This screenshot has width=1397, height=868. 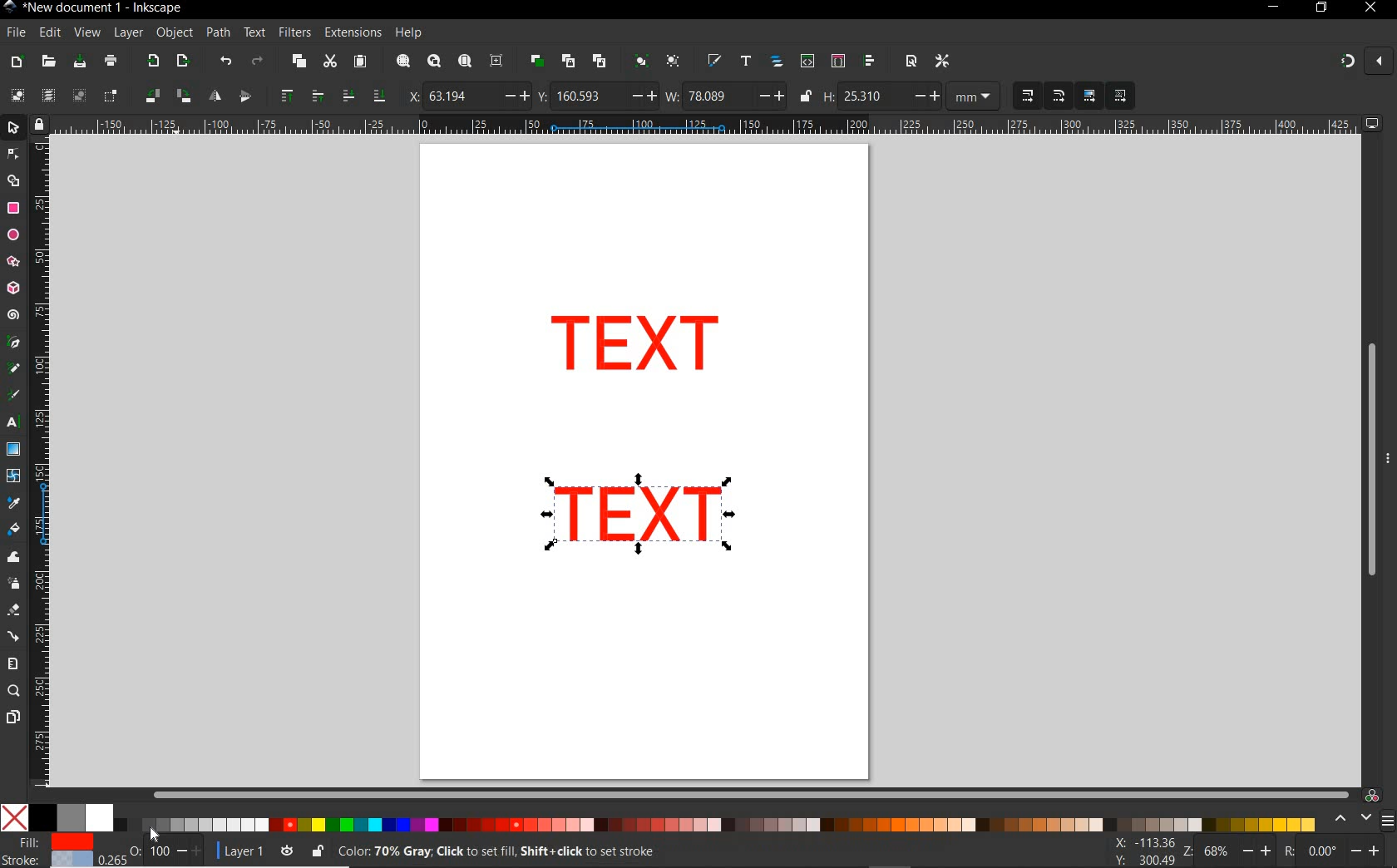 I want to click on new, so click(x=17, y=61).